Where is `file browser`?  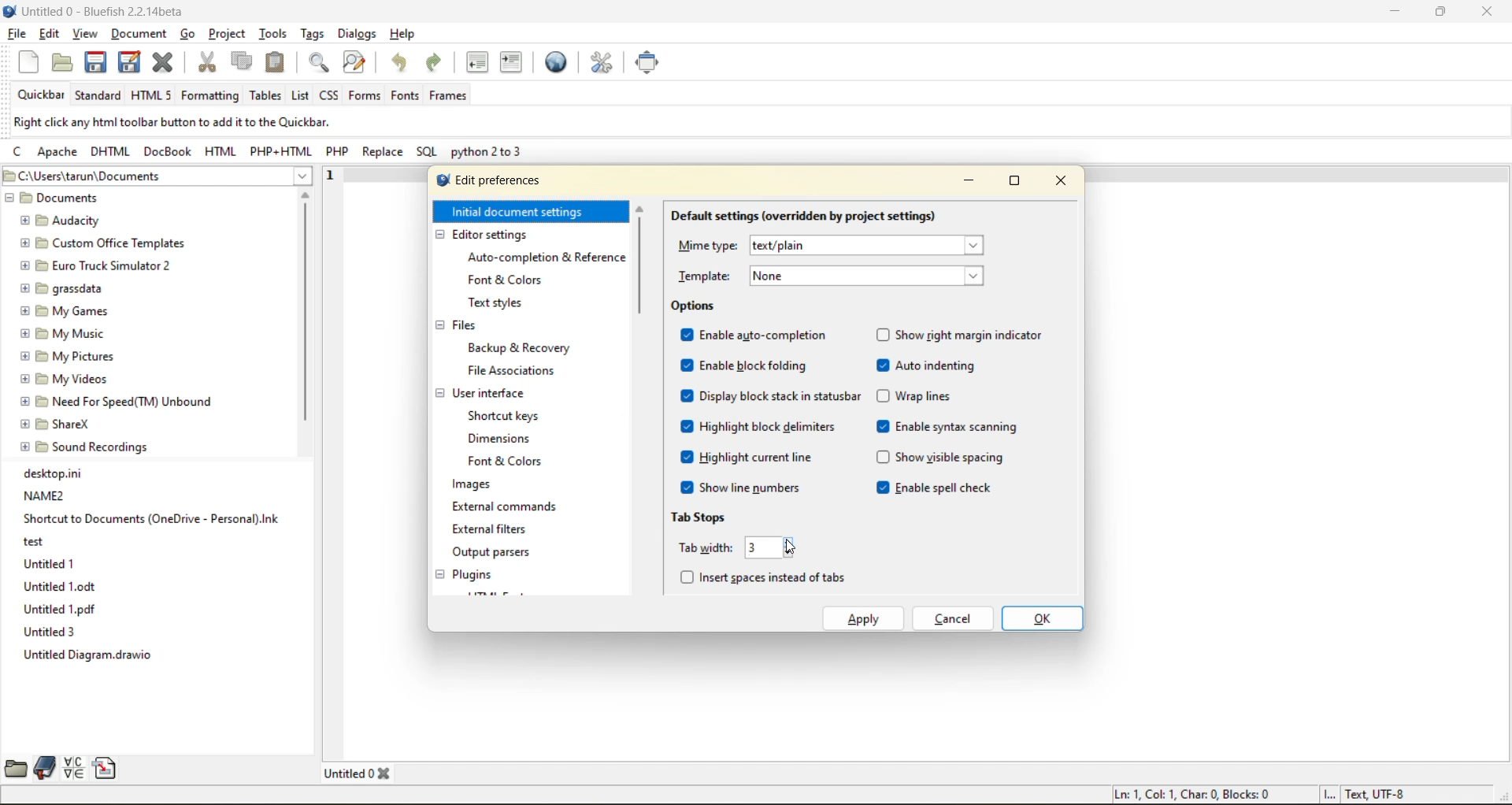
file browser is located at coordinates (13, 770).